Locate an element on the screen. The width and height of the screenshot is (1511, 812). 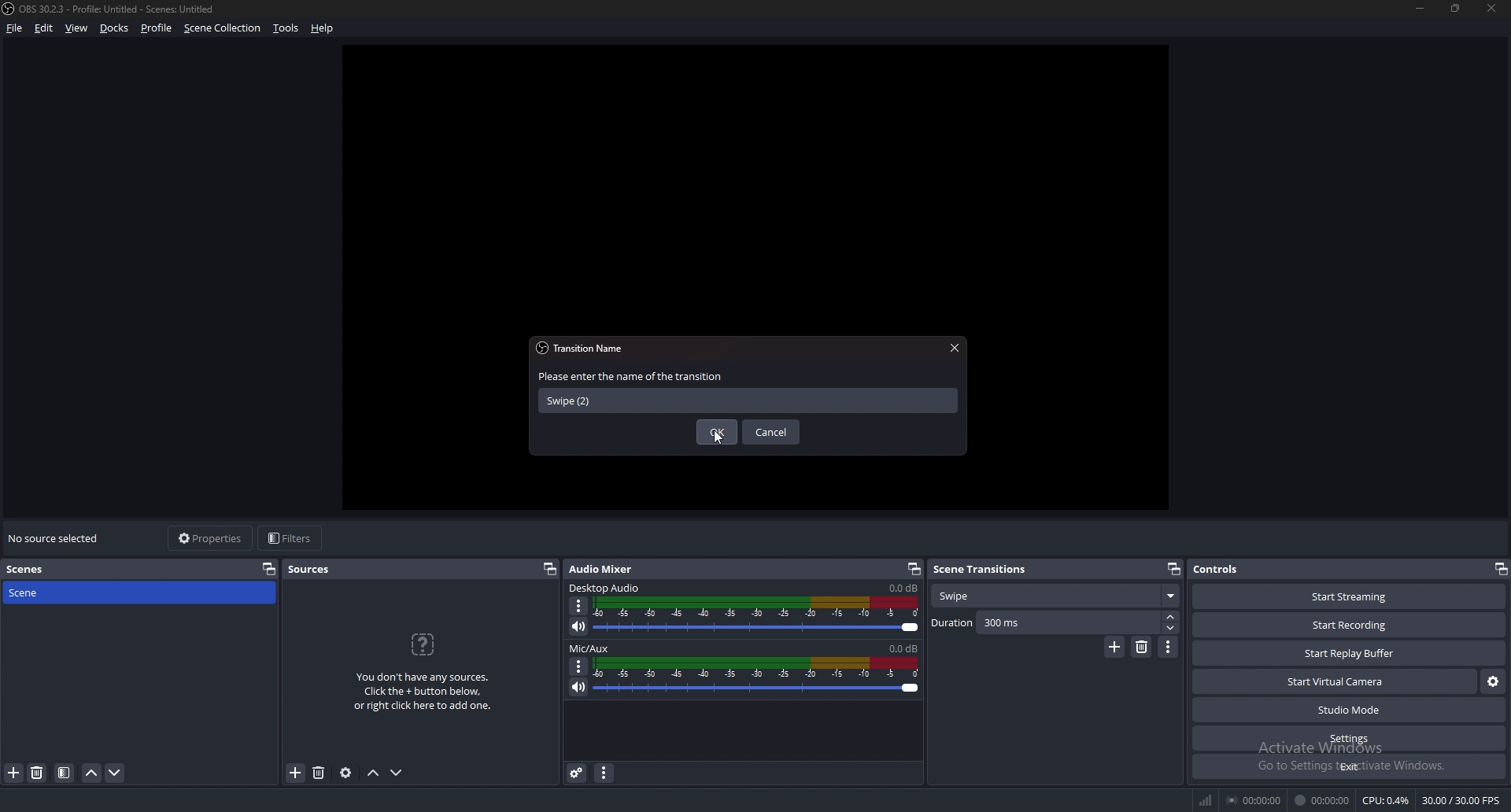
options is located at coordinates (579, 606).